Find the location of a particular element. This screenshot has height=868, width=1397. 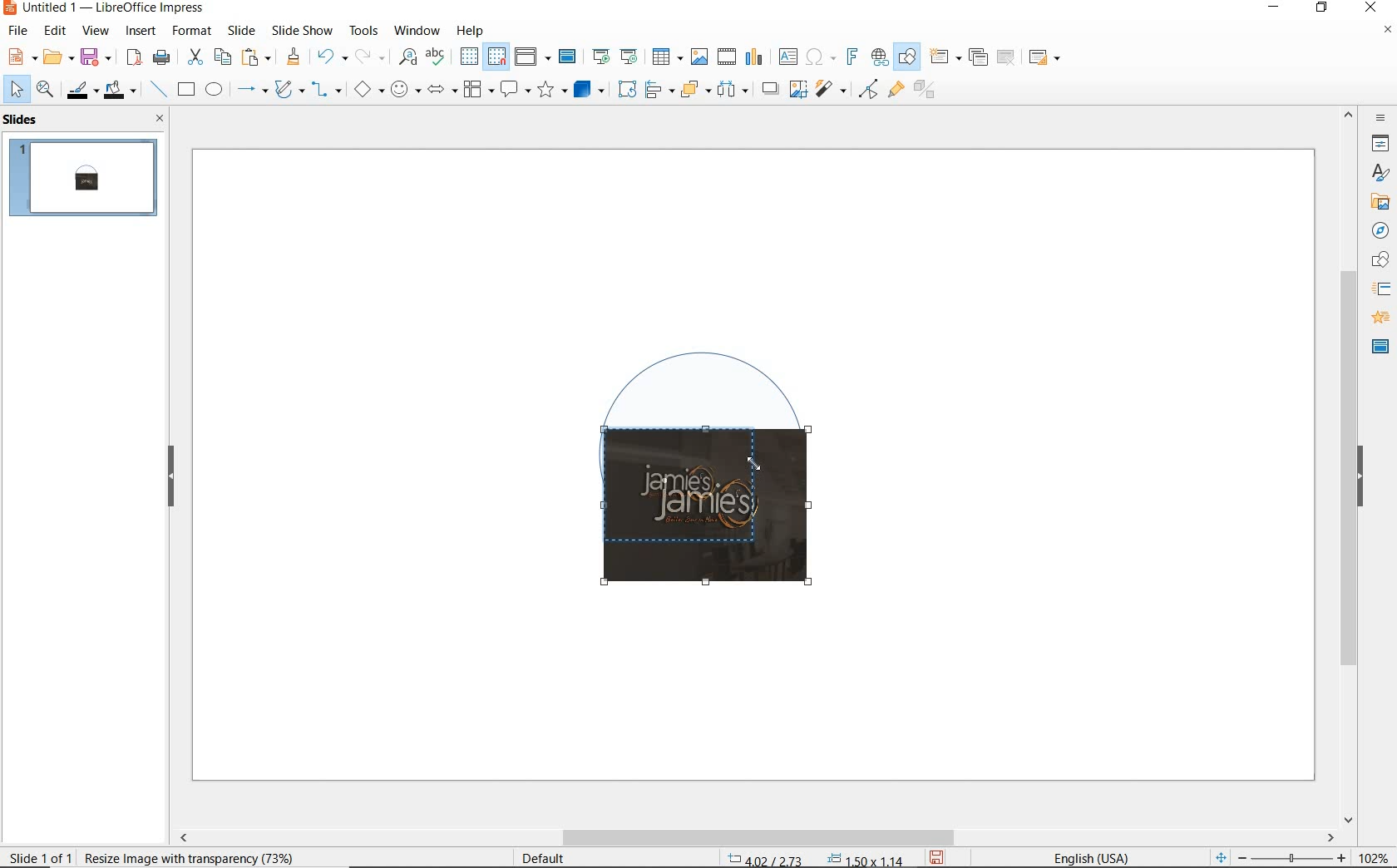

file is located at coordinates (19, 31).